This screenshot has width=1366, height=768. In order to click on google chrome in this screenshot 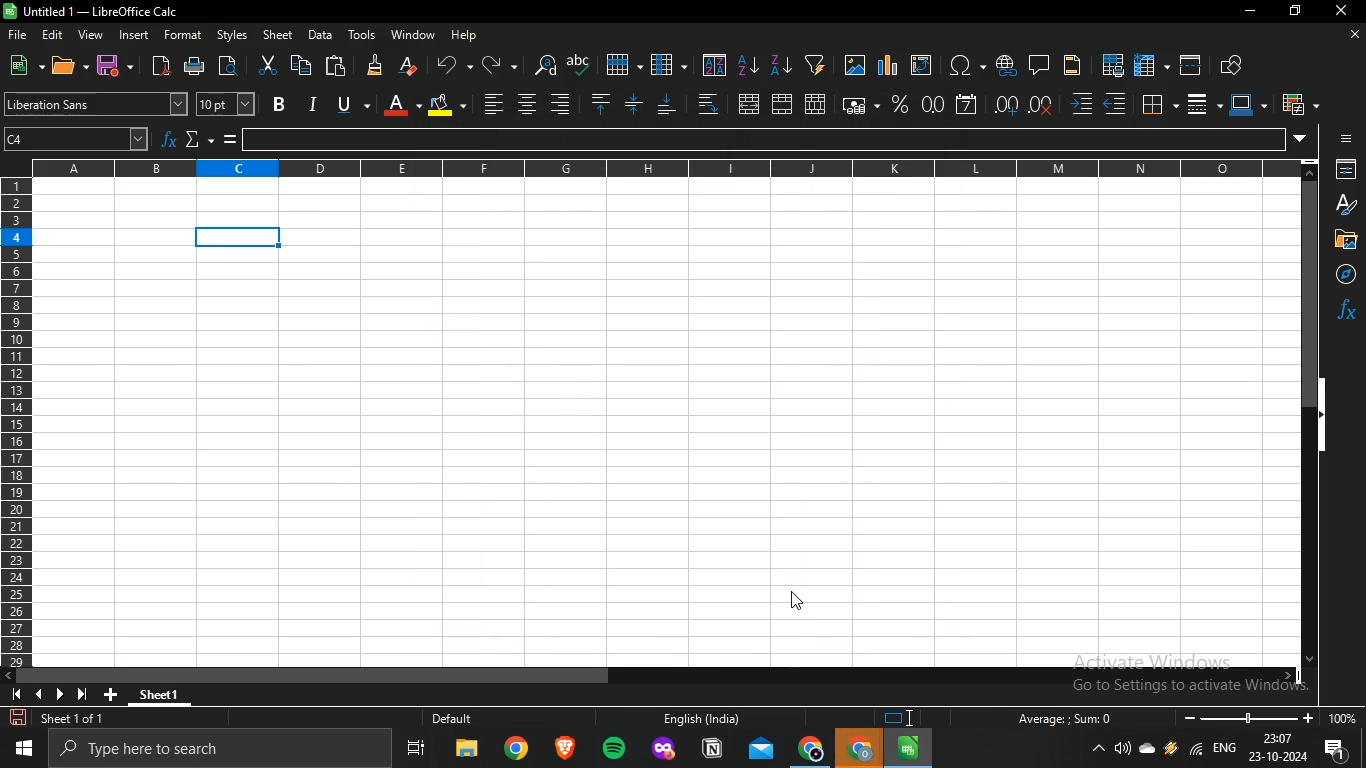, I will do `click(811, 750)`.